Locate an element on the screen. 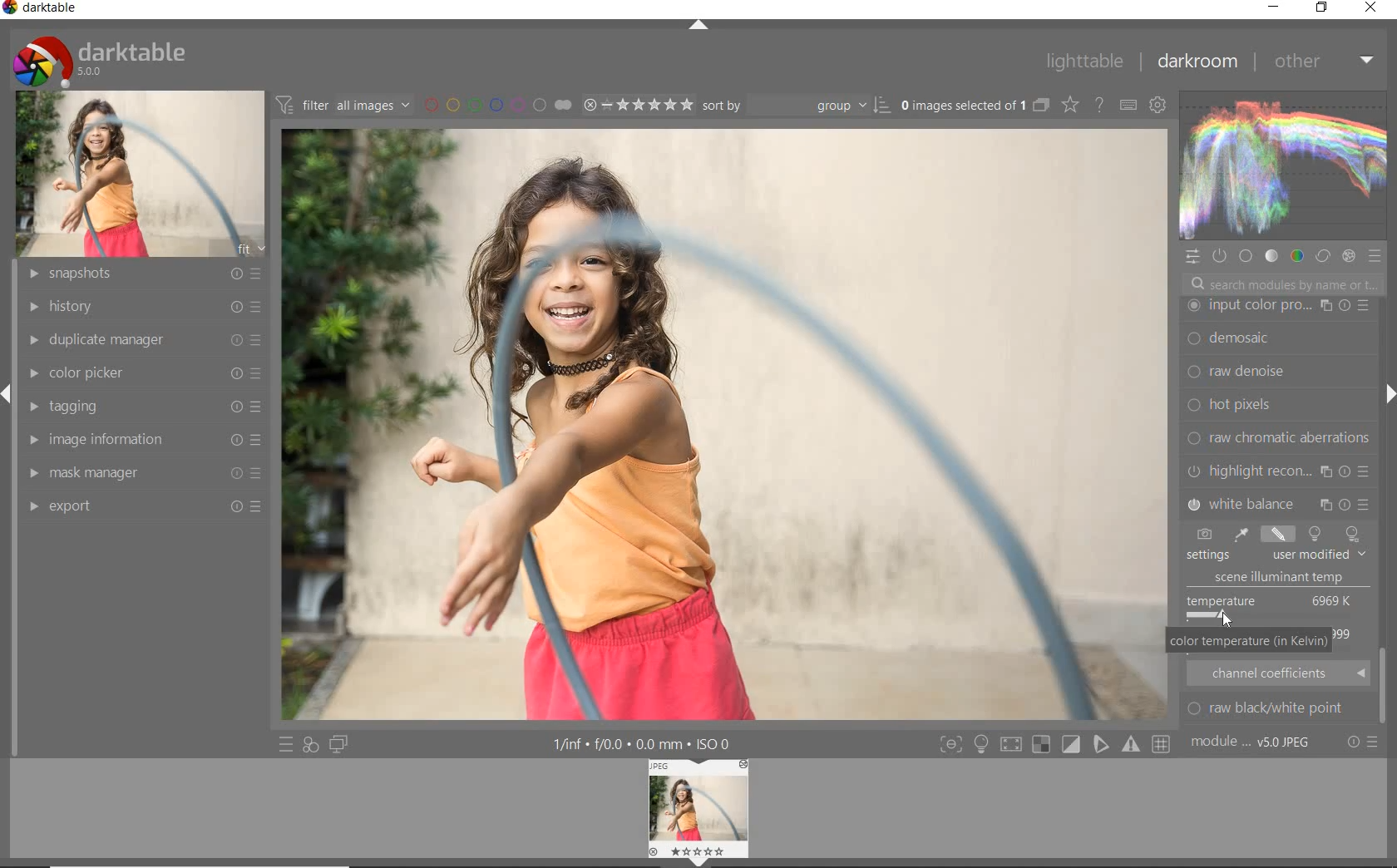  filter images is located at coordinates (343, 106).